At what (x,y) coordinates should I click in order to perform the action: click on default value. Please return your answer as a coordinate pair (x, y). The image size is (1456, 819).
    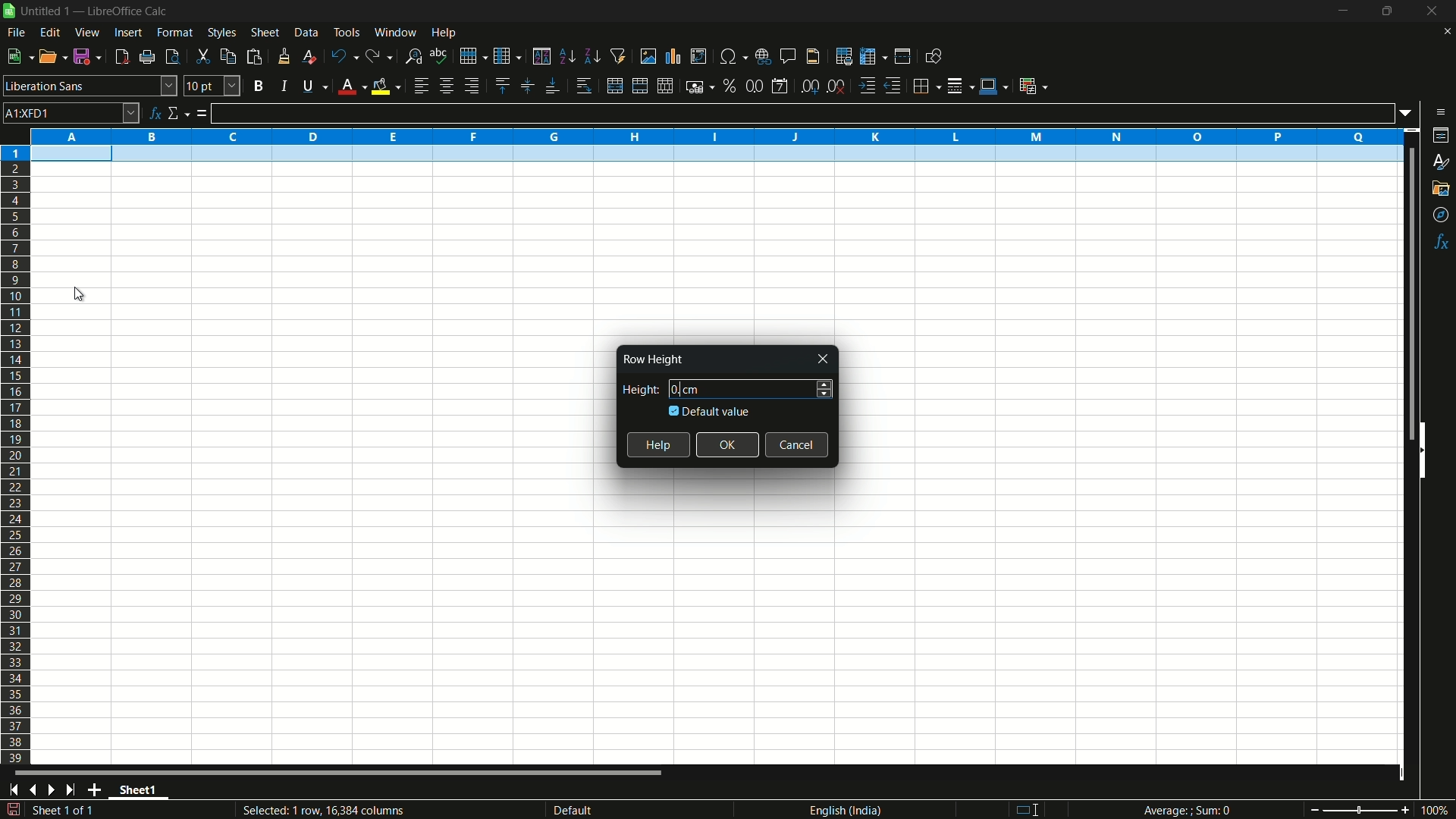
    Looking at the image, I should click on (711, 411).